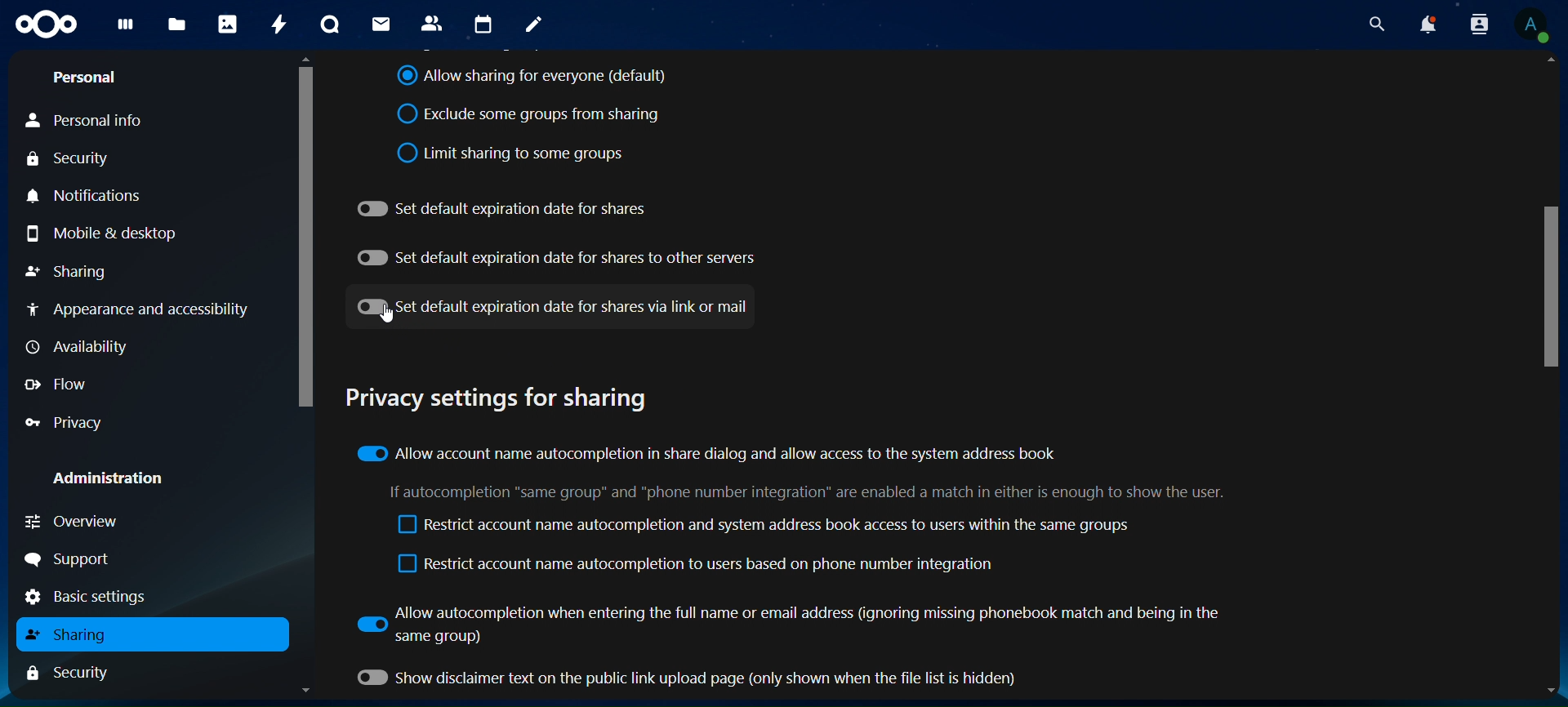 This screenshot has width=1568, height=707. I want to click on allow autocompletion when entering the full name or email address, so click(790, 618).